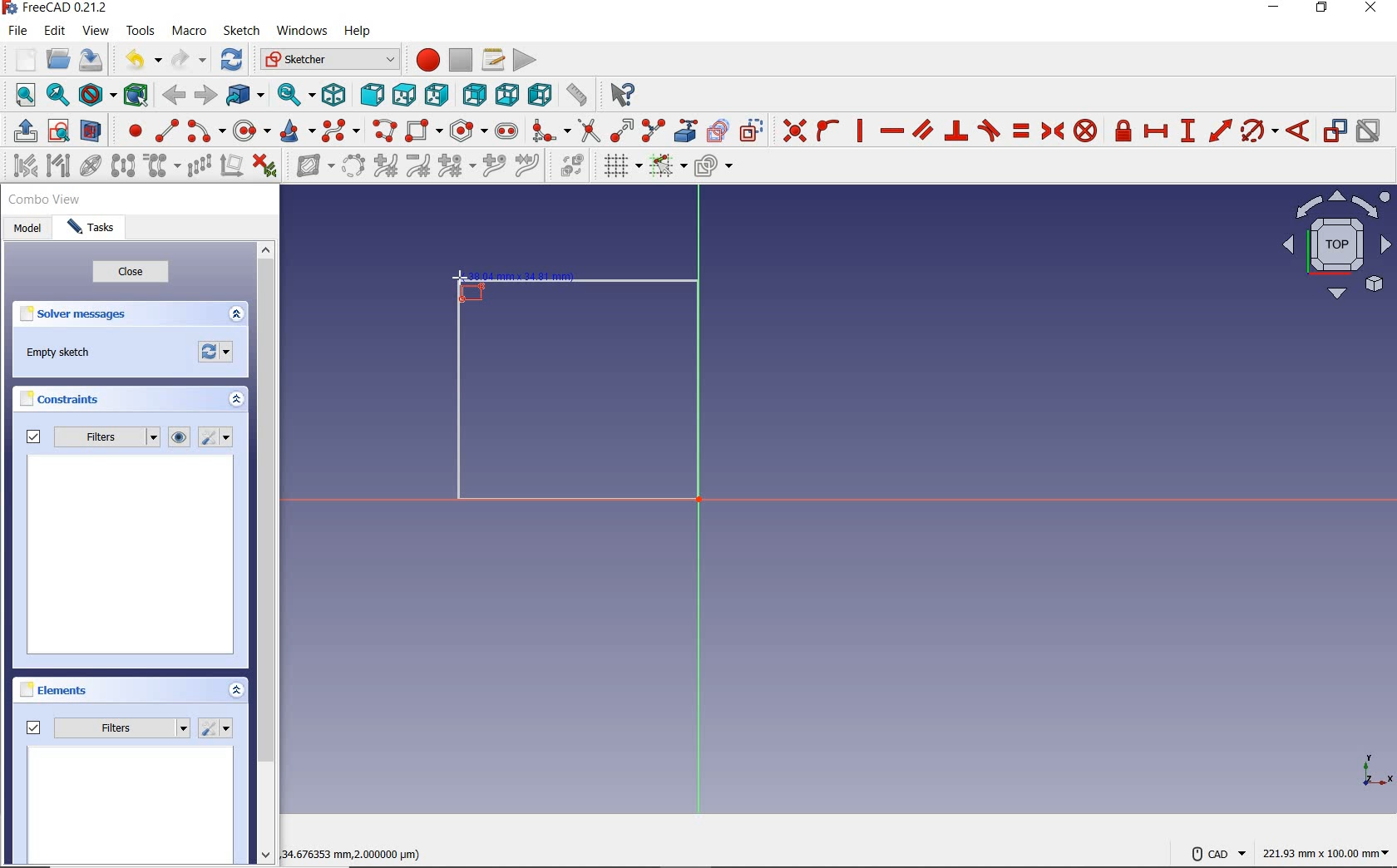 This screenshot has width=1397, height=868. What do you see at coordinates (94, 62) in the screenshot?
I see `save` at bounding box center [94, 62].